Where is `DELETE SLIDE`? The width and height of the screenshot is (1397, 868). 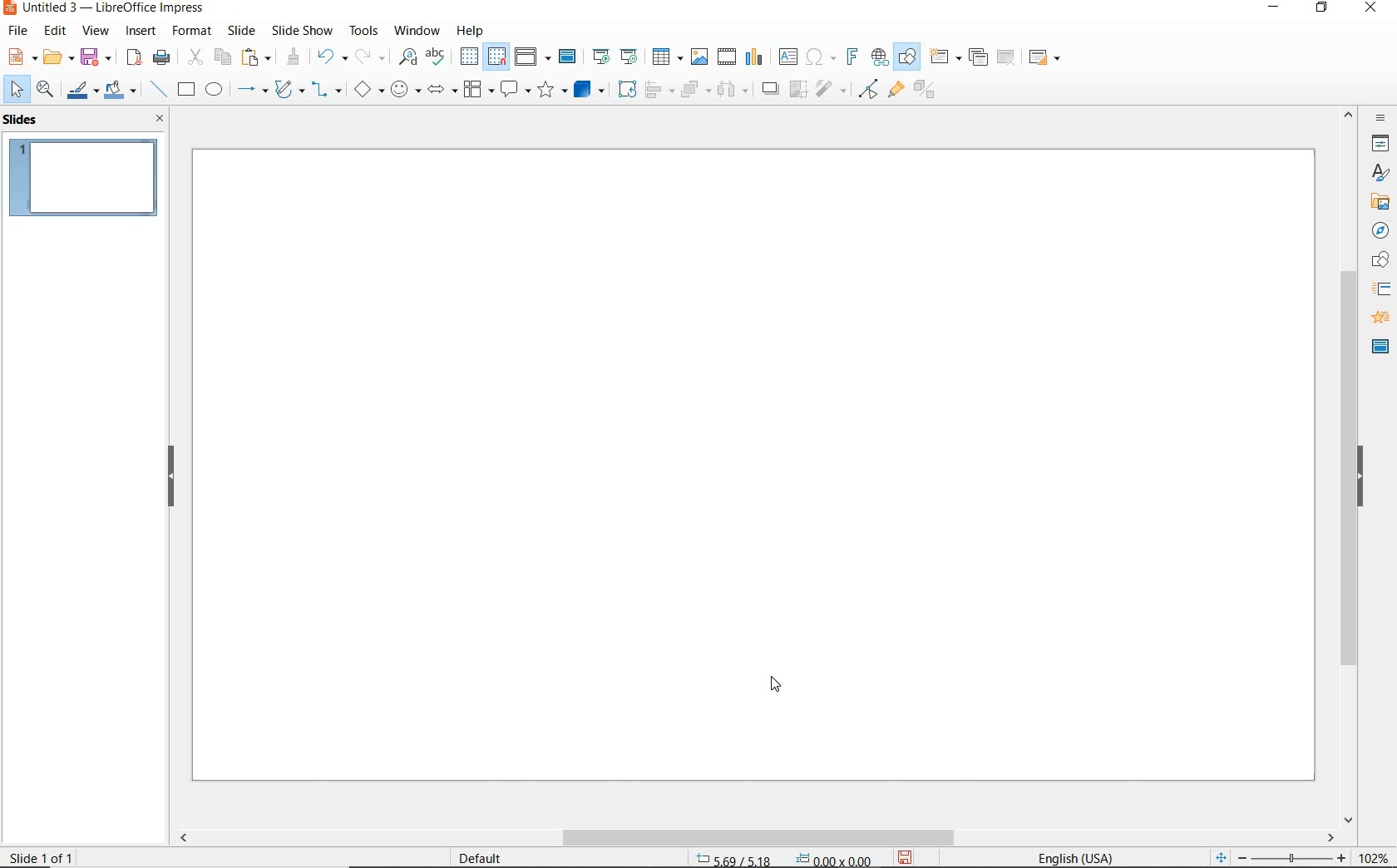
DELETE SLIDE is located at coordinates (1005, 57).